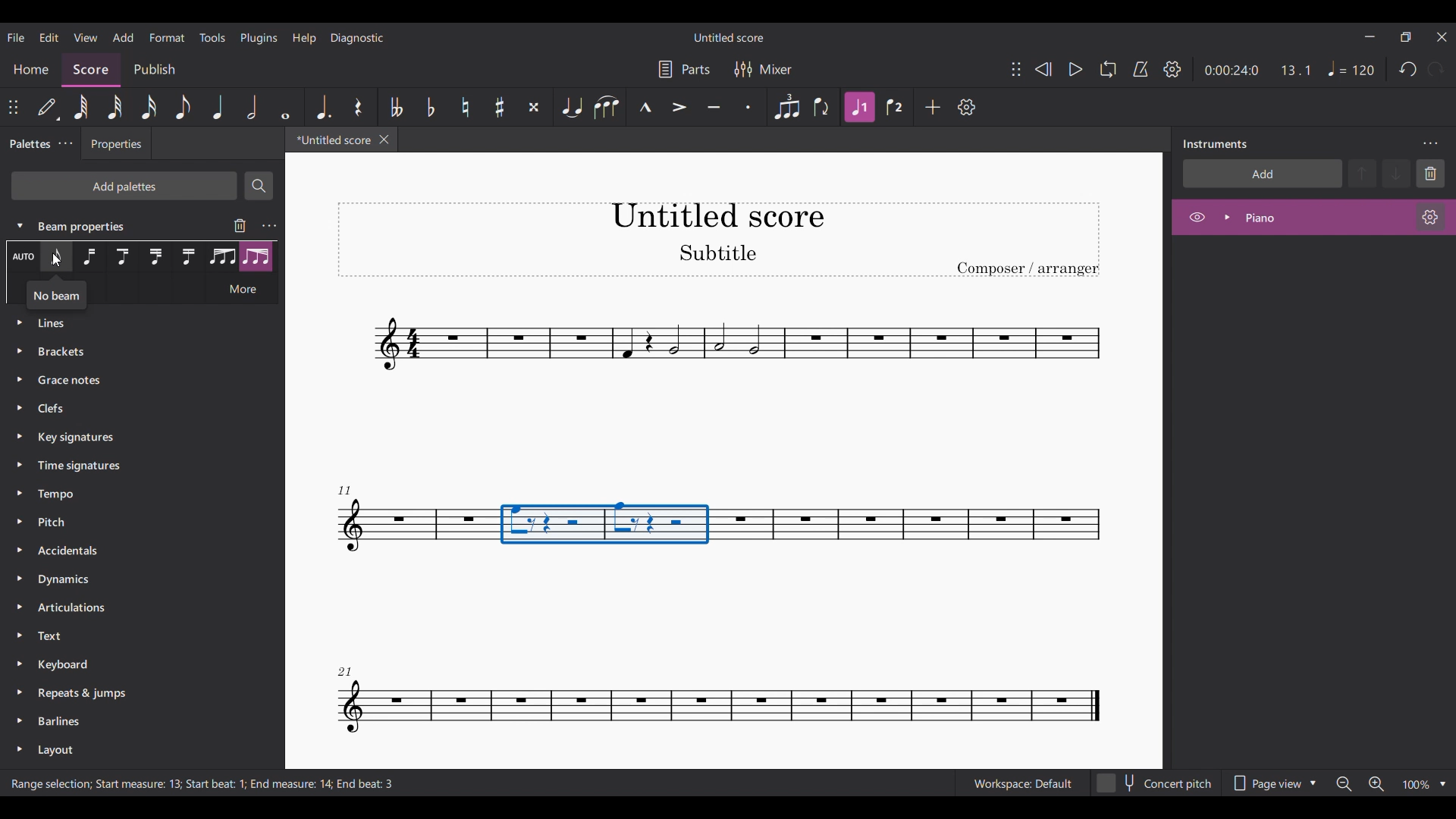 The height and width of the screenshot is (819, 1456). I want to click on Expand, so click(1227, 217).